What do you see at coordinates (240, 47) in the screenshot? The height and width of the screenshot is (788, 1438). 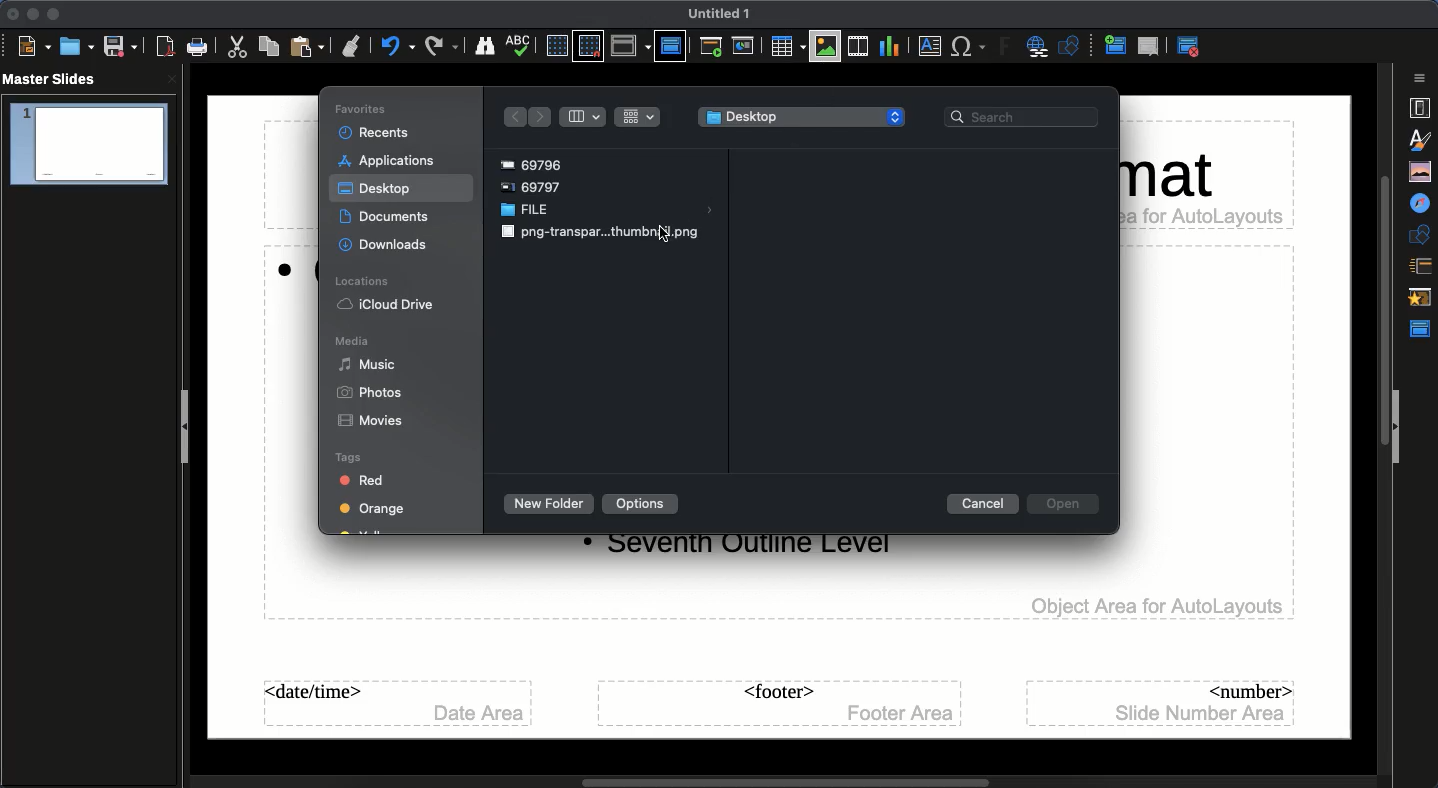 I see `Cut` at bounding box center [240, 47].